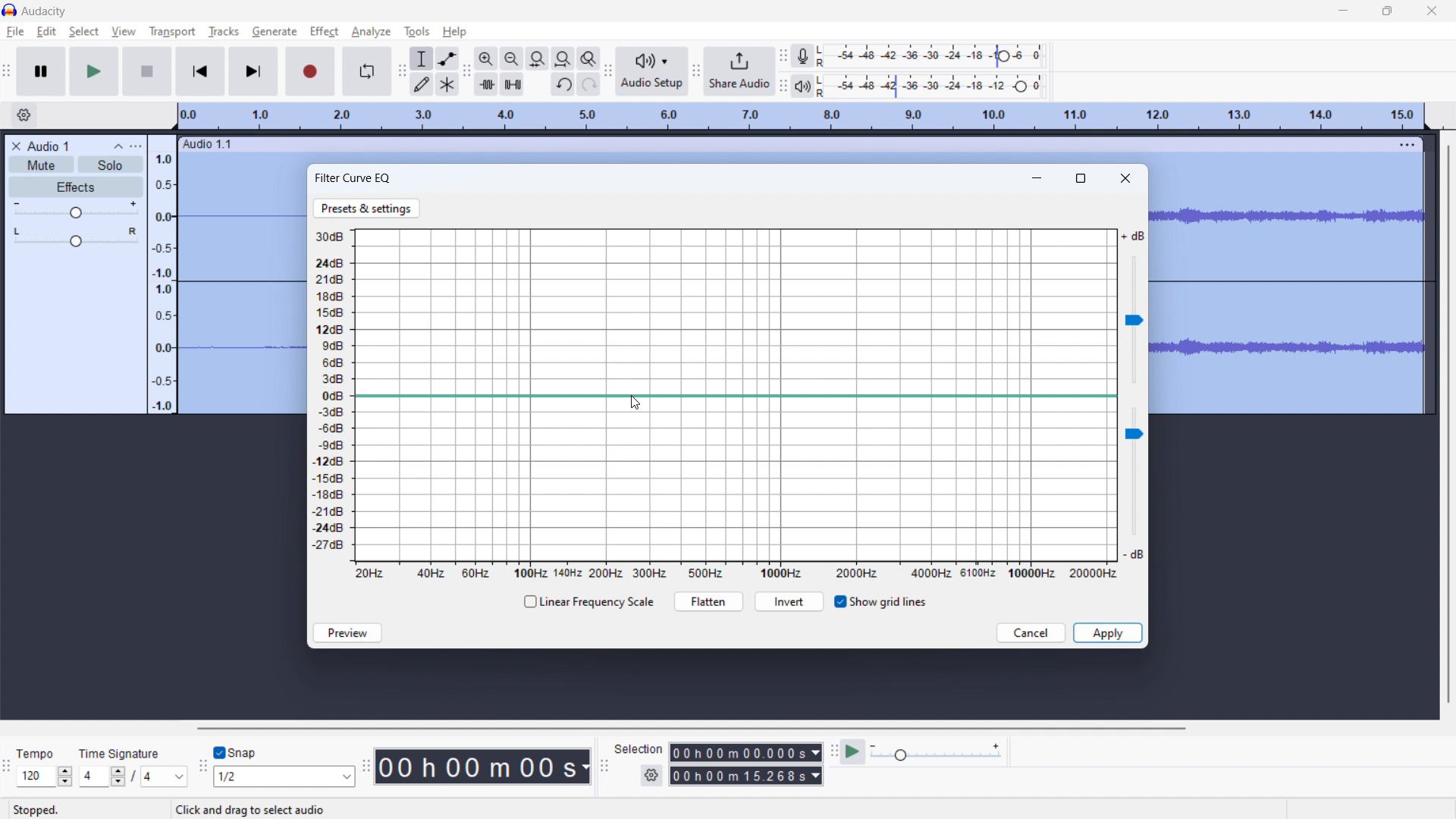 Image resolution: width=1456 pixels, height=819 pixels. What do you see at coordinates (807, 85) in the screenshot?
I see `playback meter` at bounding box center [807, 85].